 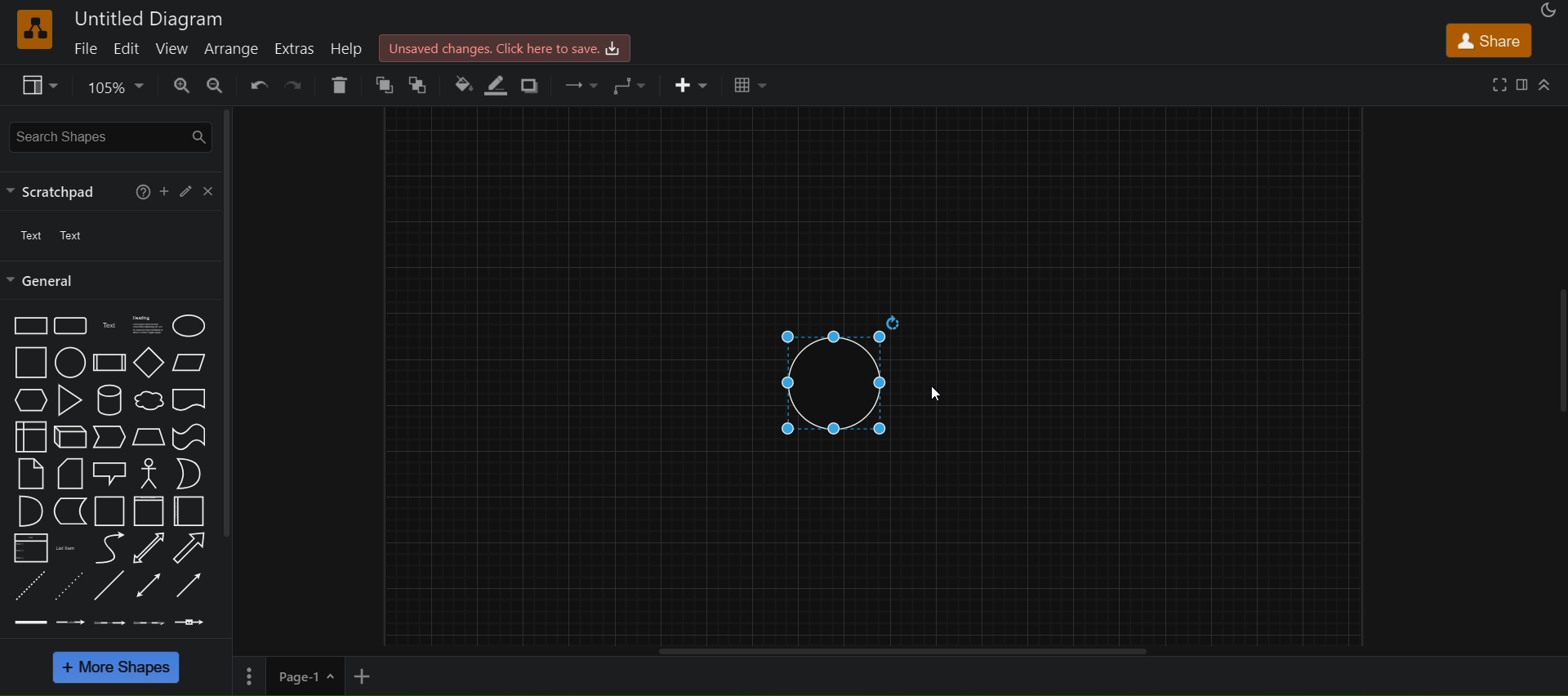 What do you see at coordinates (581, 85) in the screenshot?
I see `connection` at bounding box center [581, 85].